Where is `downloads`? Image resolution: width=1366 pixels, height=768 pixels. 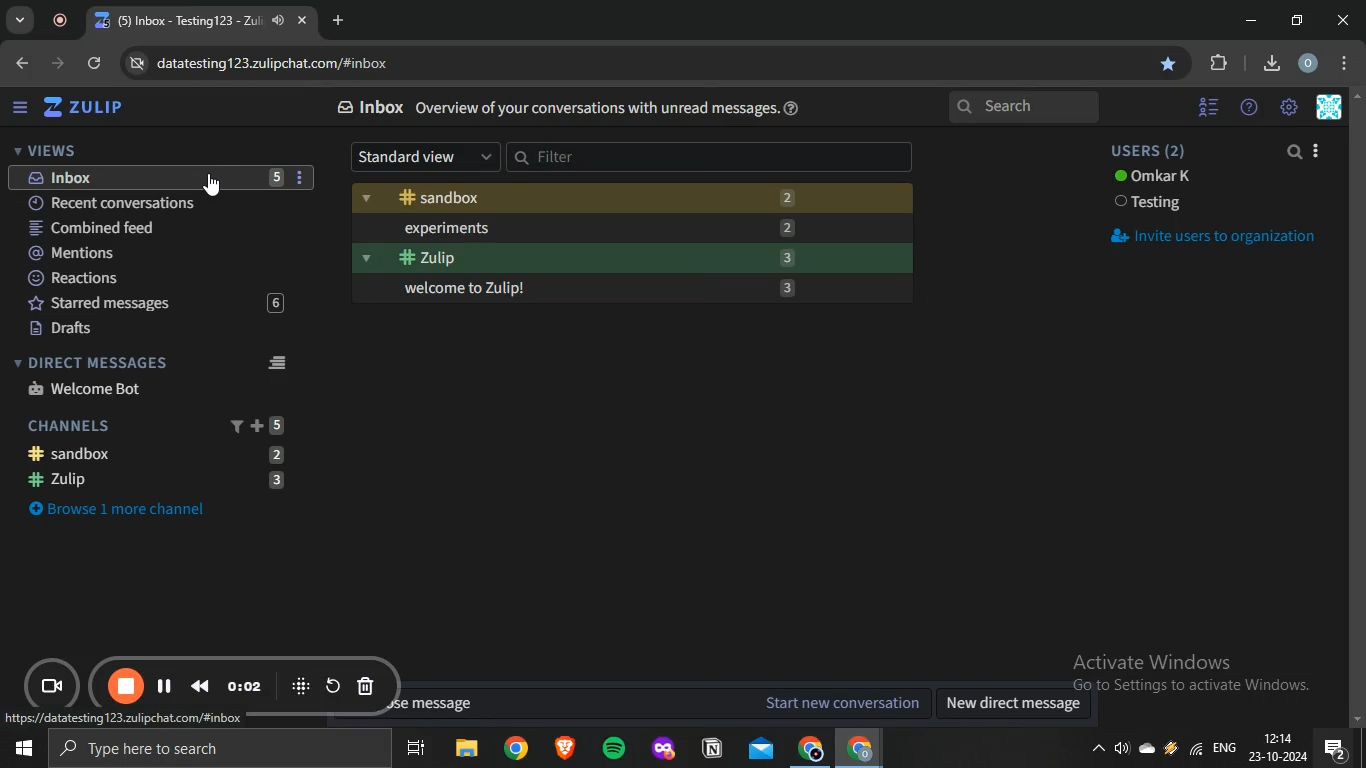 downloads is located at coordinates (1271, 61).